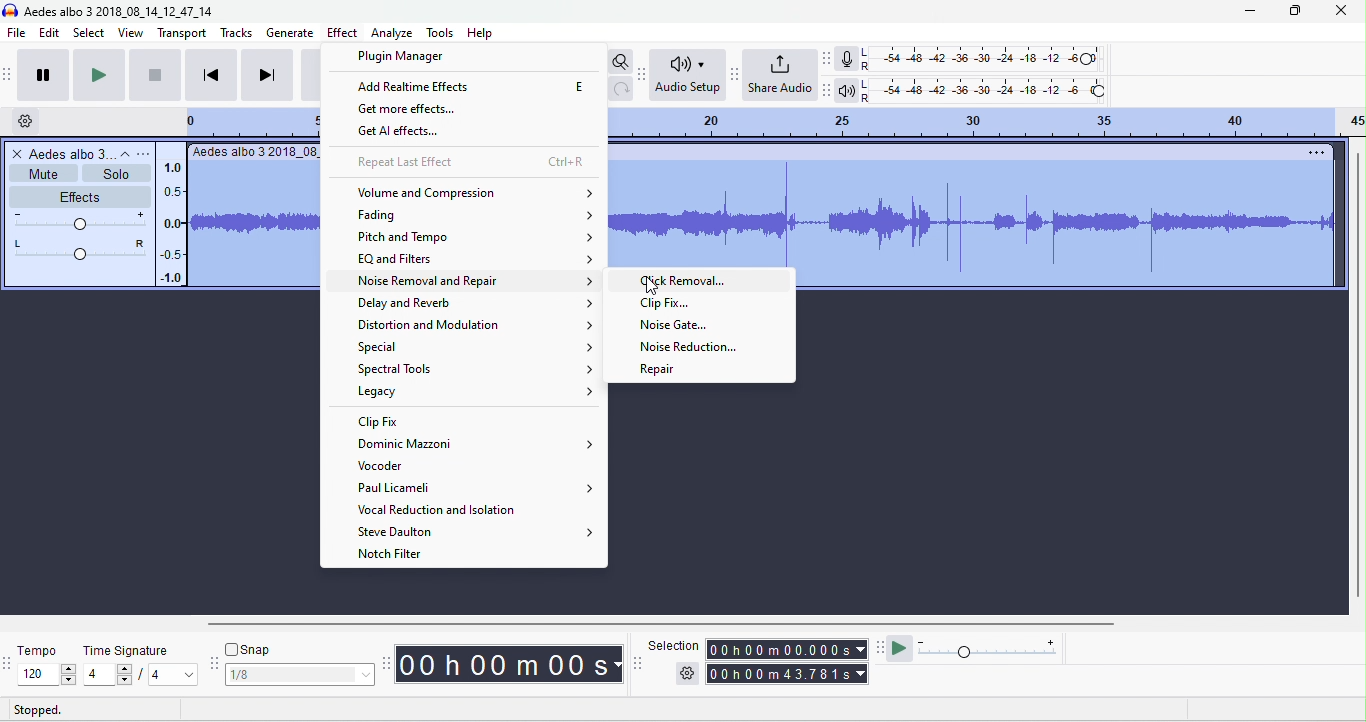 The width and height of the screenshot is (1366, 722). I want to click on mute, so click(40, 175).